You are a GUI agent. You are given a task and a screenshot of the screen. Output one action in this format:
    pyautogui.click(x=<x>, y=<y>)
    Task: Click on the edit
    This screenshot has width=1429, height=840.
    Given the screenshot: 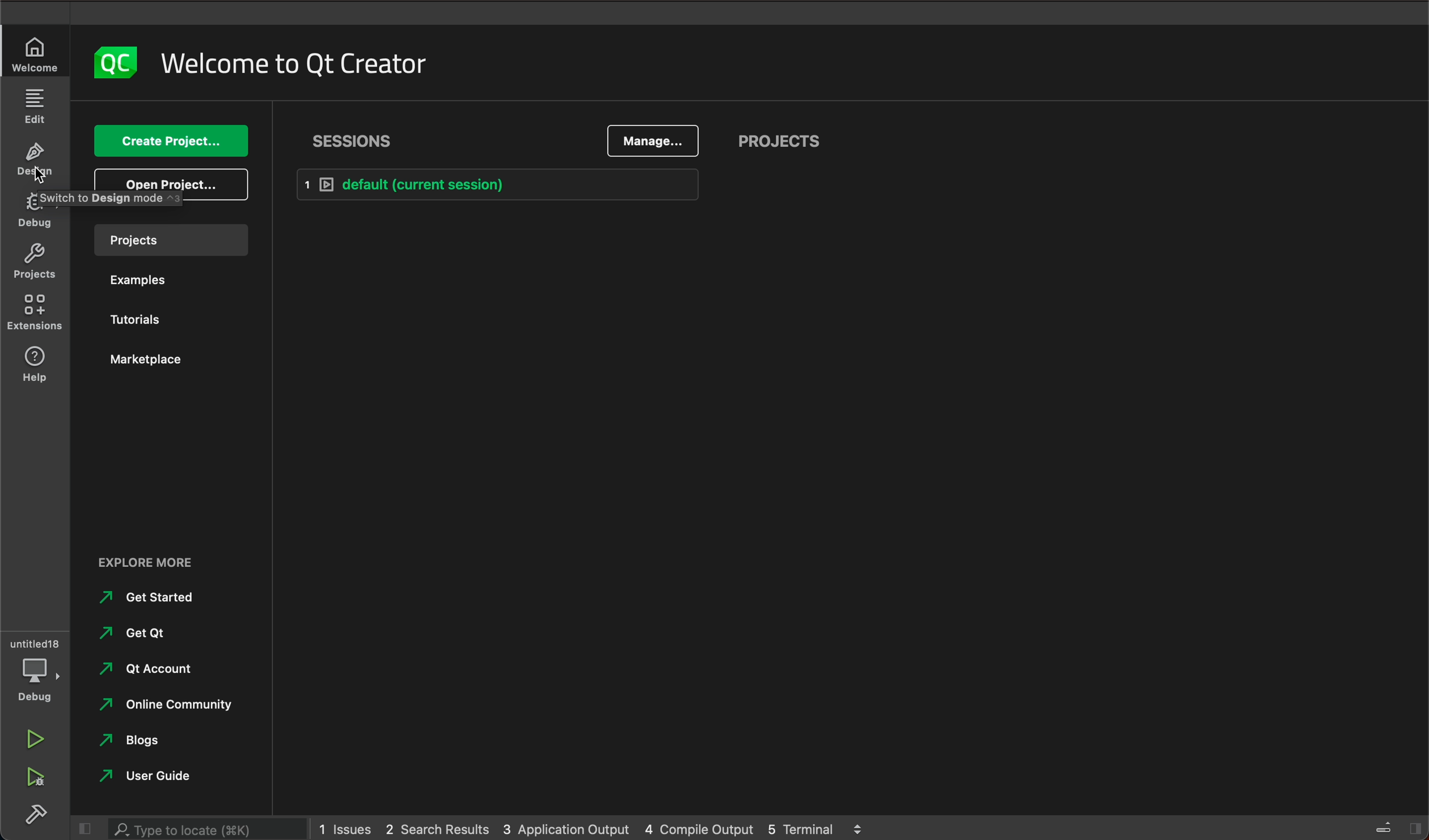 What is the action you would take?
    pyautogui.click(x=32, y=108)
    